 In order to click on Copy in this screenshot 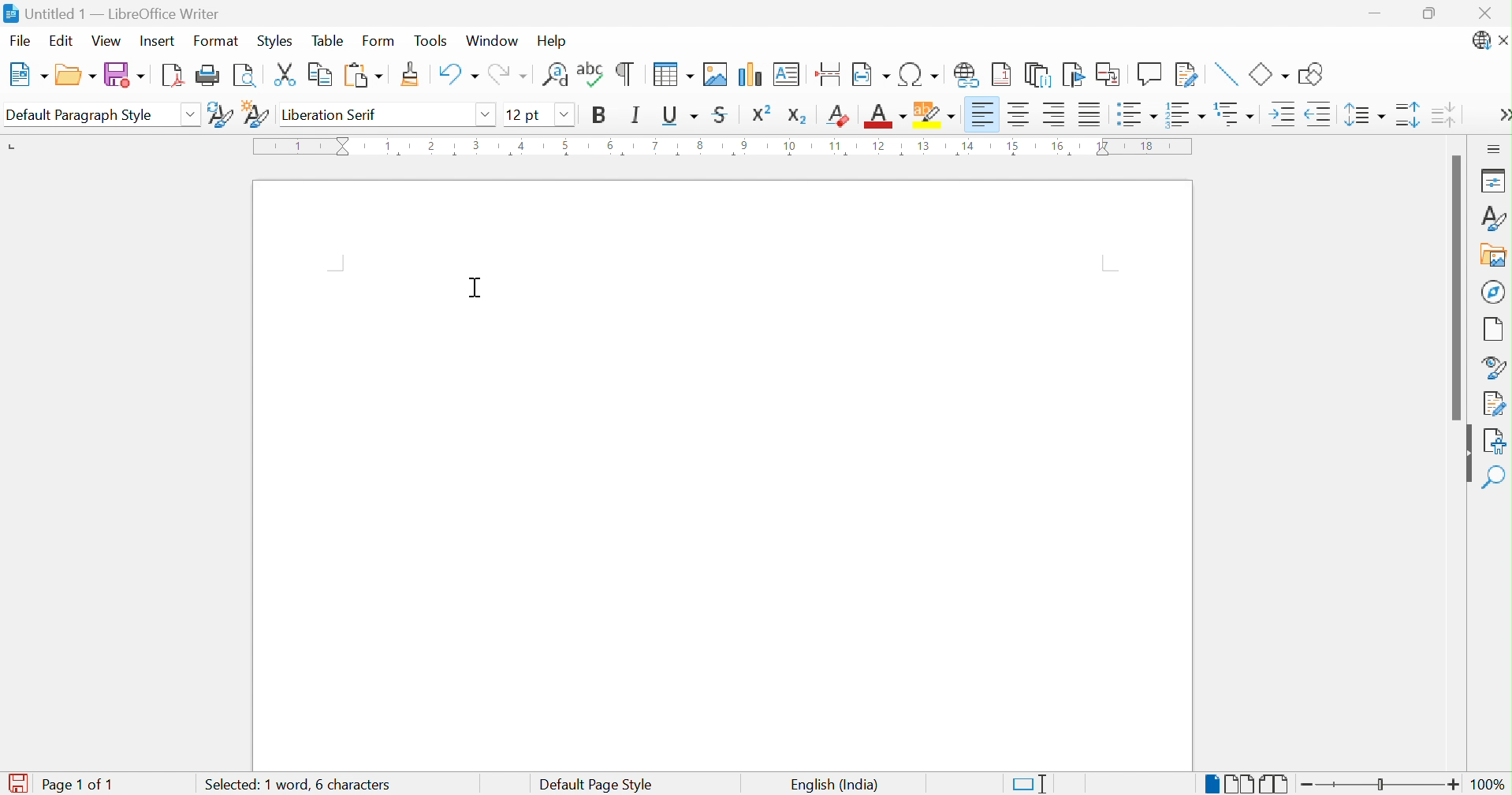, I will do `click(318, 75)`.